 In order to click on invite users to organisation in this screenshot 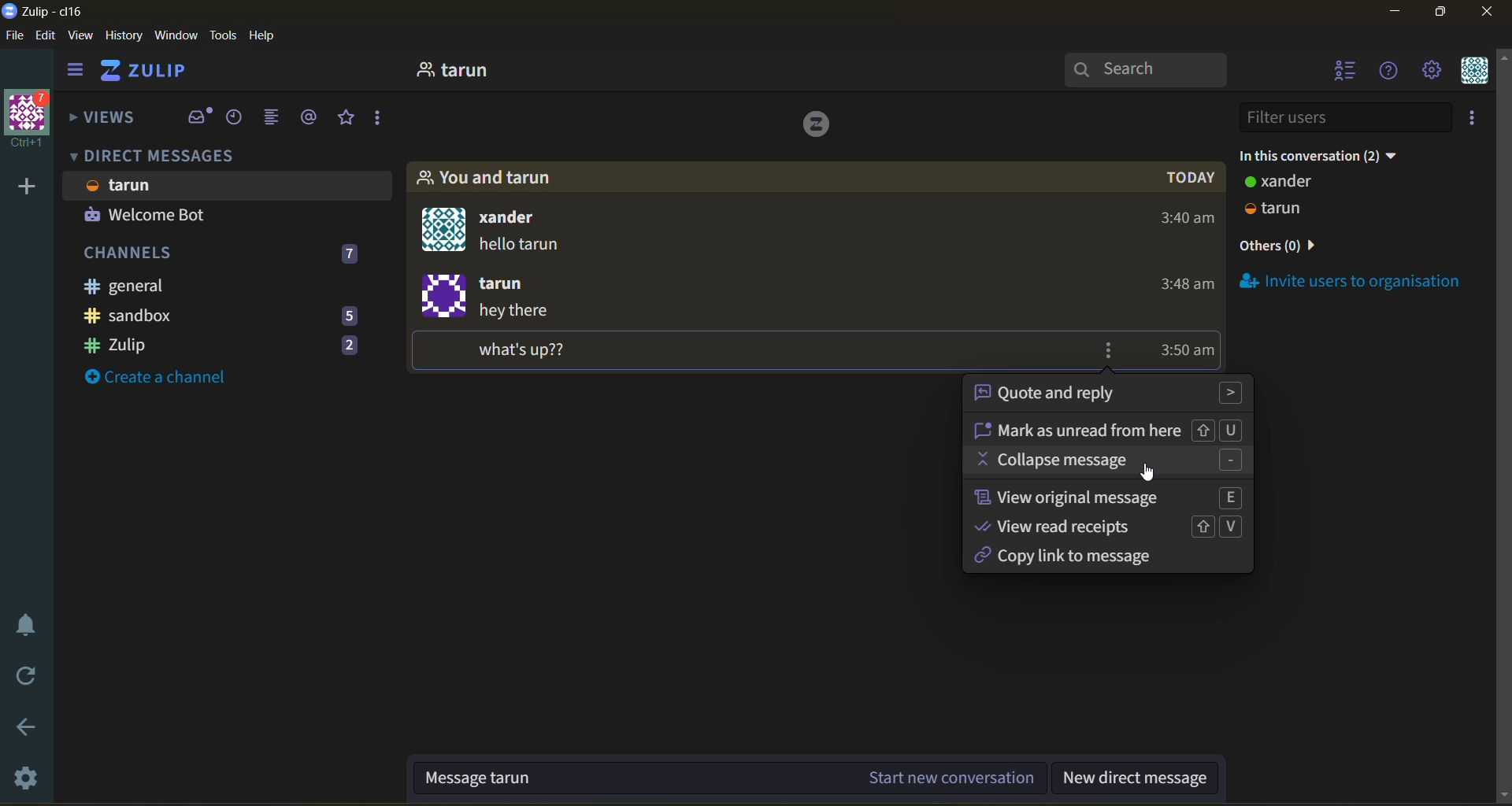, I will do `click(1469, 117)`.